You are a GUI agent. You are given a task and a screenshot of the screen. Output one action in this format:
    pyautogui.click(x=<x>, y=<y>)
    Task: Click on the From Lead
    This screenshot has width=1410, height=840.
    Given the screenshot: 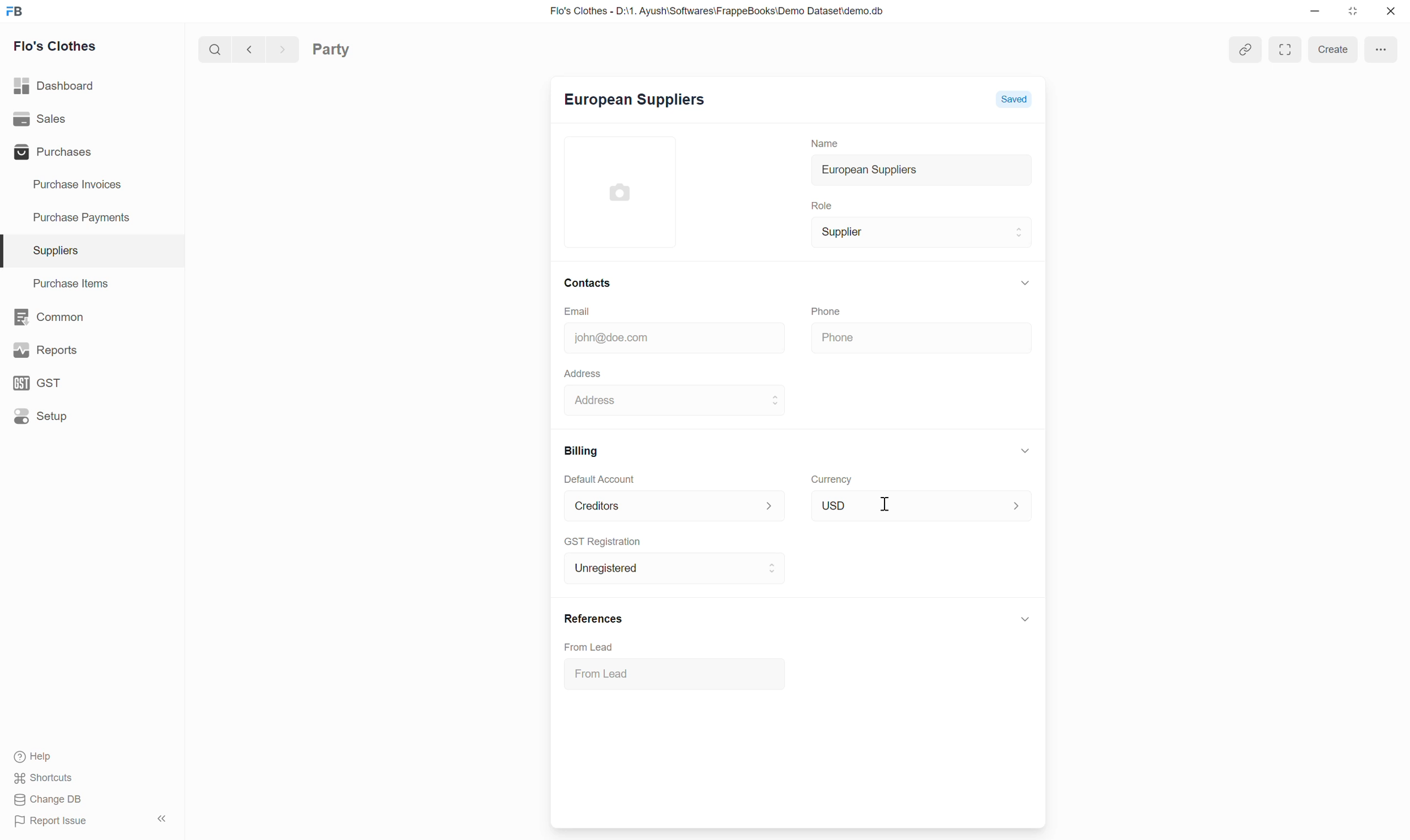 What is the action you would take?
    pyautogui.click(x=608, y=672)
    